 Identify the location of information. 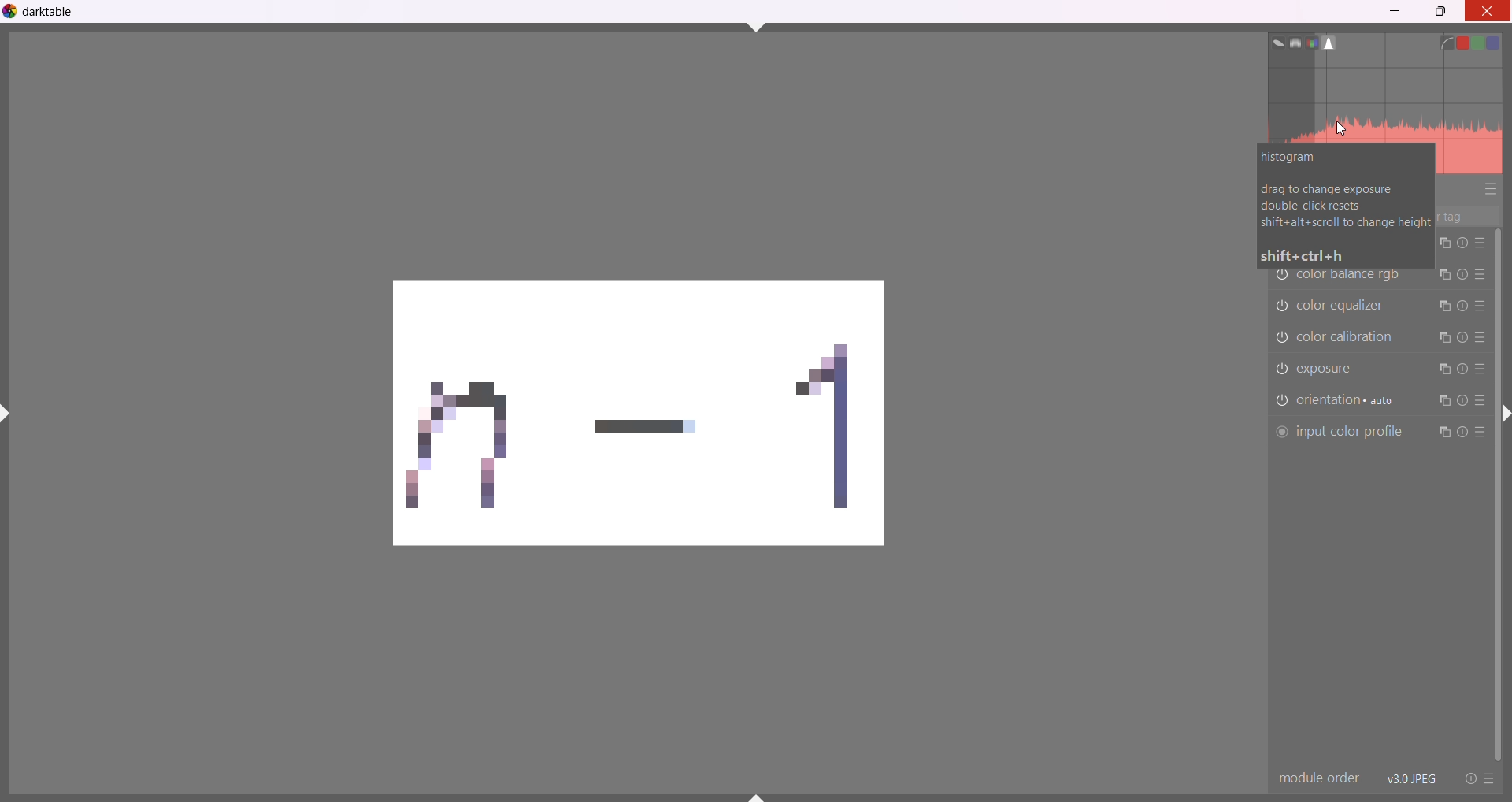
(1345, 207).